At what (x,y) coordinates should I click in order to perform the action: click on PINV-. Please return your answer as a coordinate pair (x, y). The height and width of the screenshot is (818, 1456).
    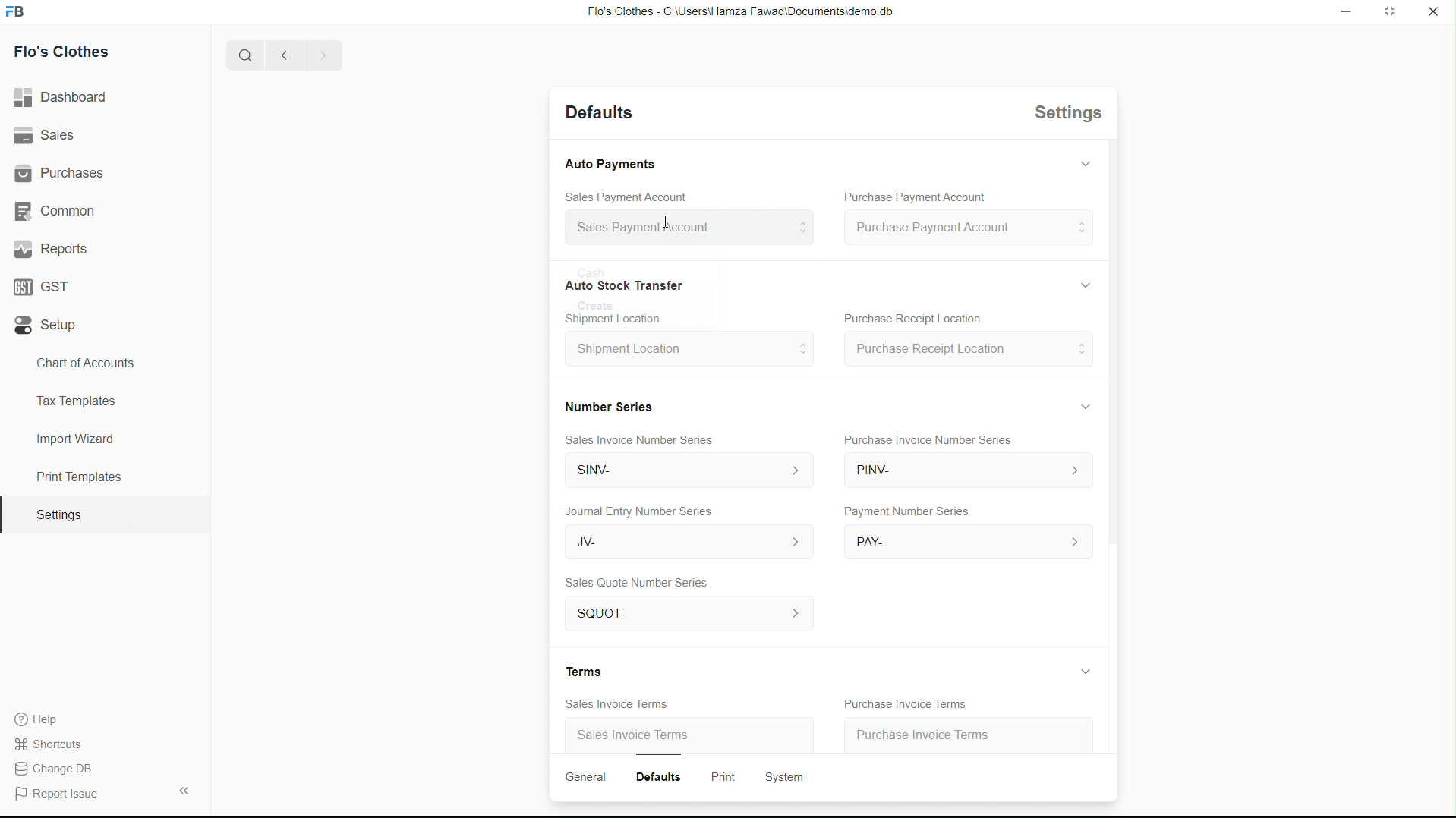
    Looking at the image, I should click on (962, 471).